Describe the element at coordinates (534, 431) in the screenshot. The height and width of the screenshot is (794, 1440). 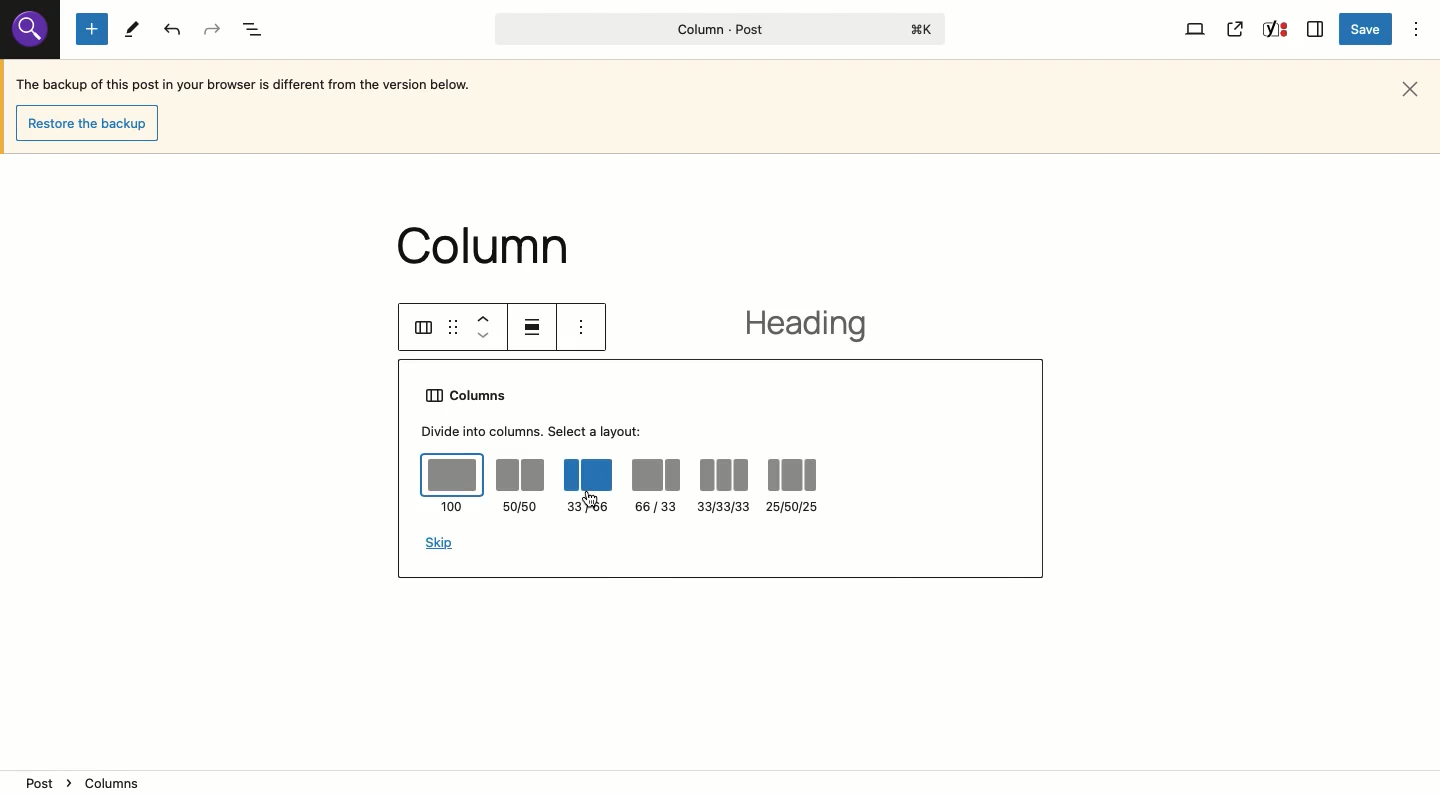
I see `Divide into columns. Select a layout` at that location.